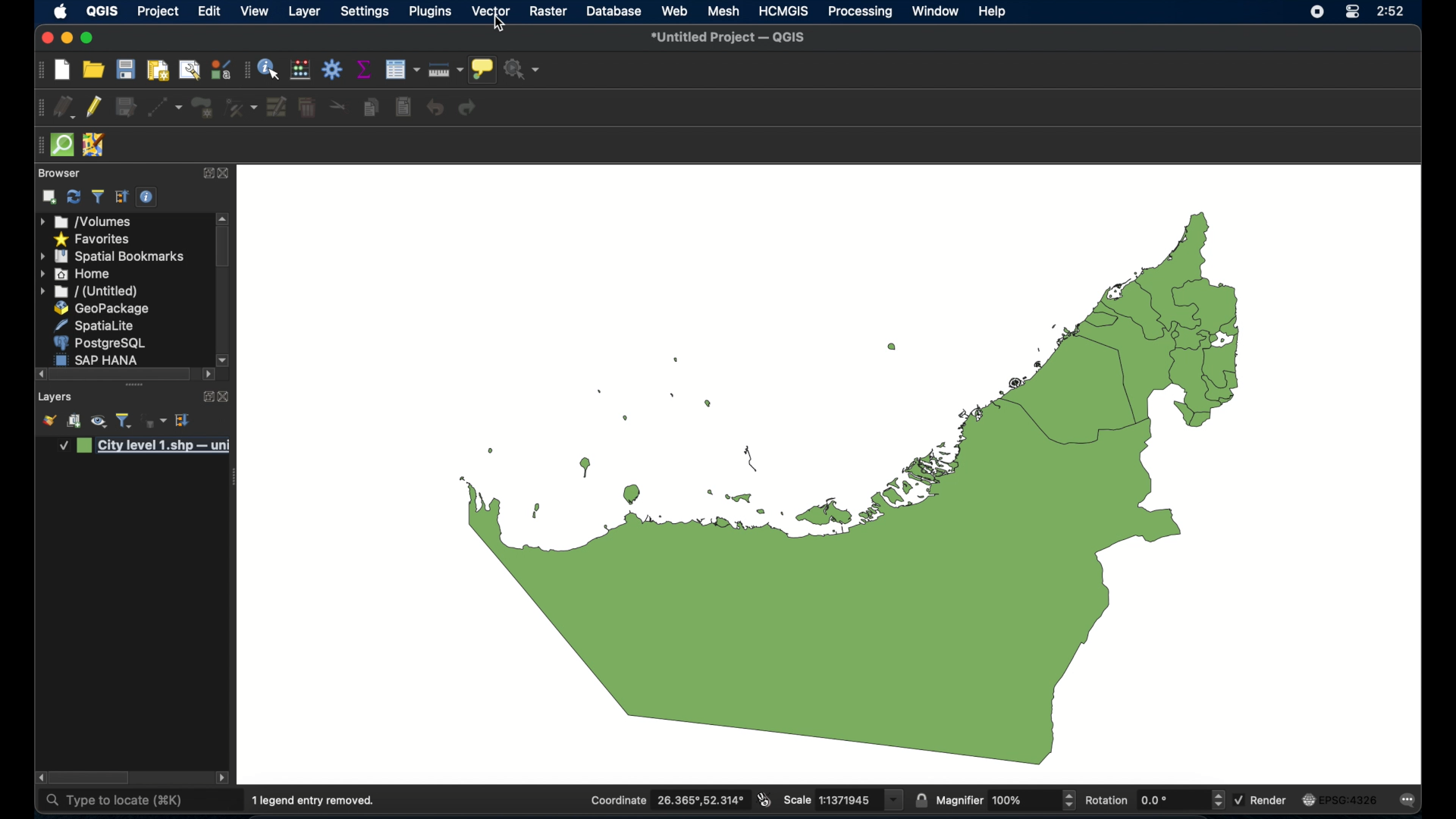 The image size is (1456, 819). What do you see at coordinates (95, 145) in the screenshot?
I see `jsom remote` at bounding box center [95, 145].